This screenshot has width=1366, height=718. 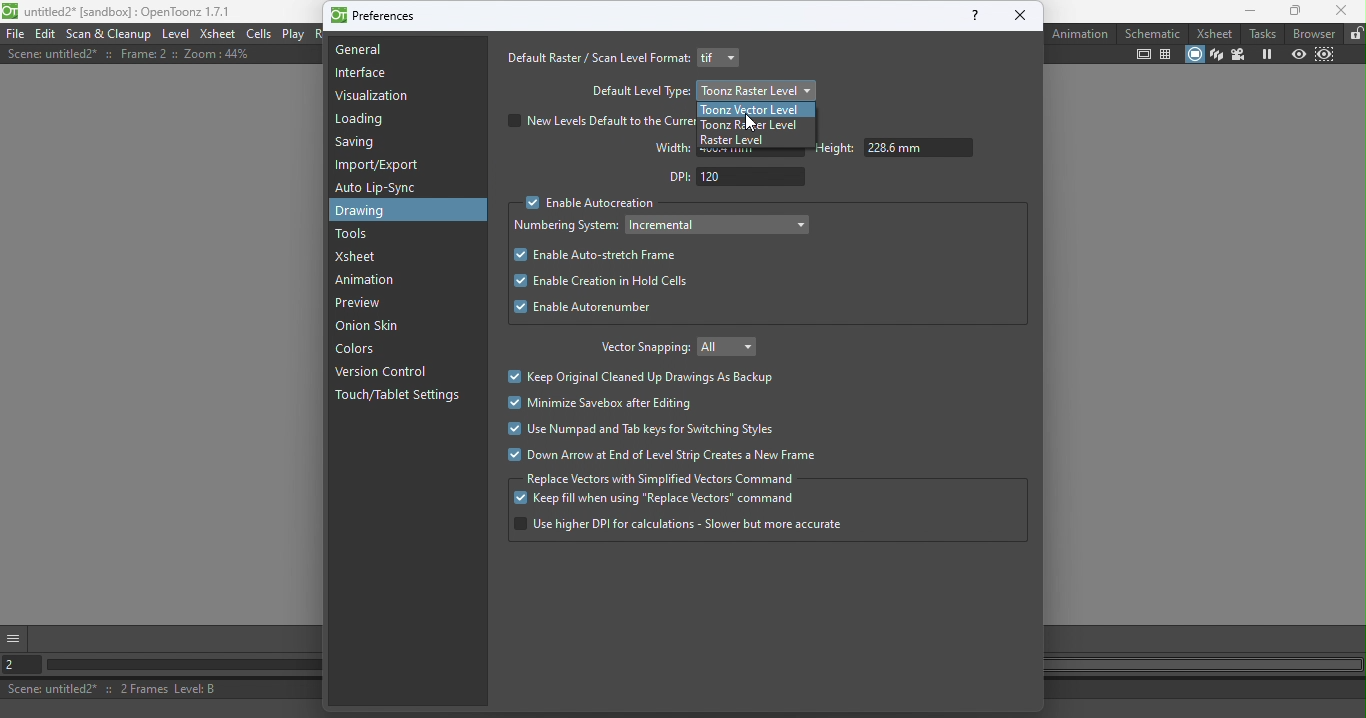 I want to click on Height, so click(x=890, y=148).